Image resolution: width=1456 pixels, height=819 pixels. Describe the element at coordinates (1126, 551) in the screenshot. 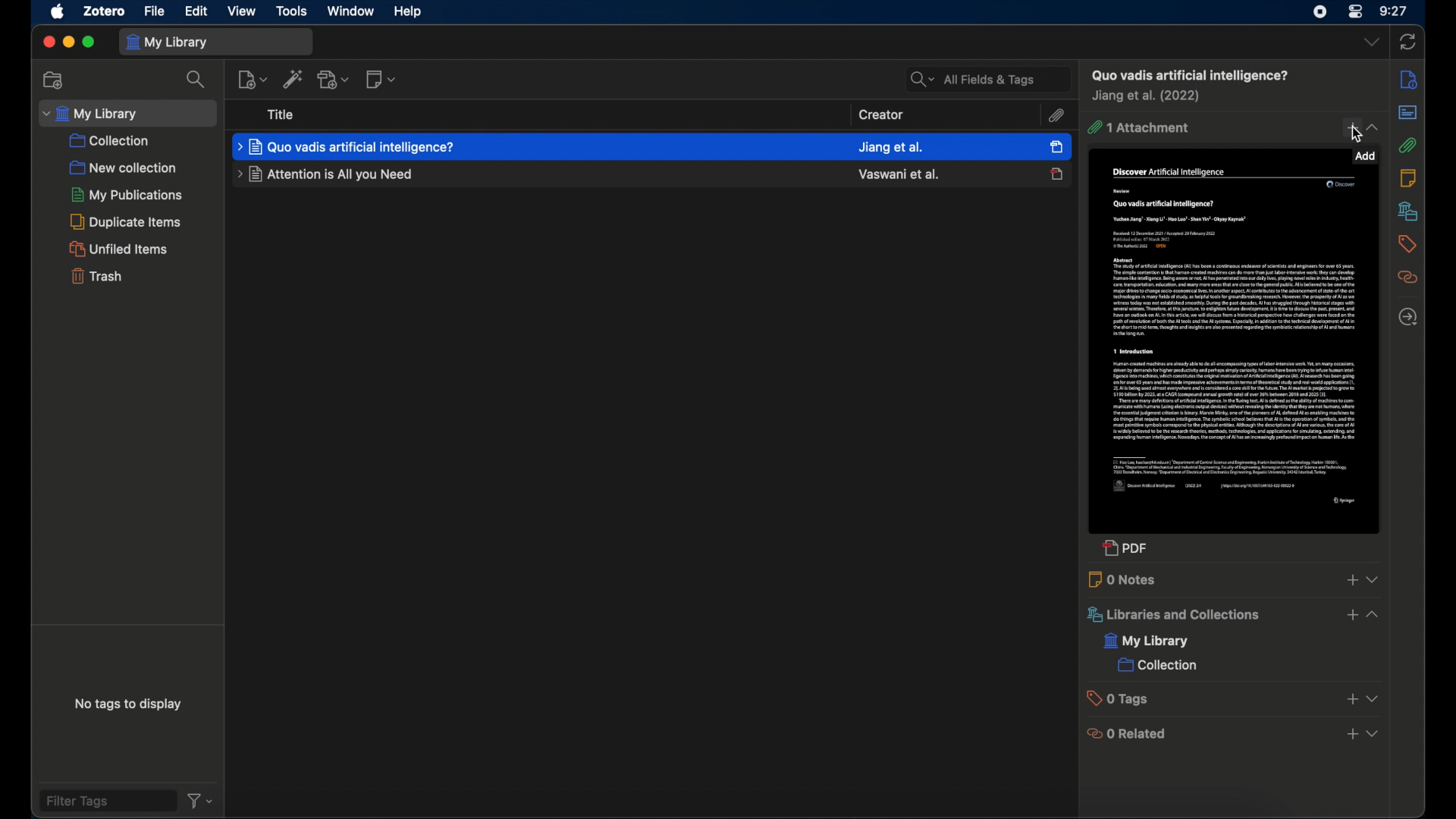

I see `pdf` at that location.